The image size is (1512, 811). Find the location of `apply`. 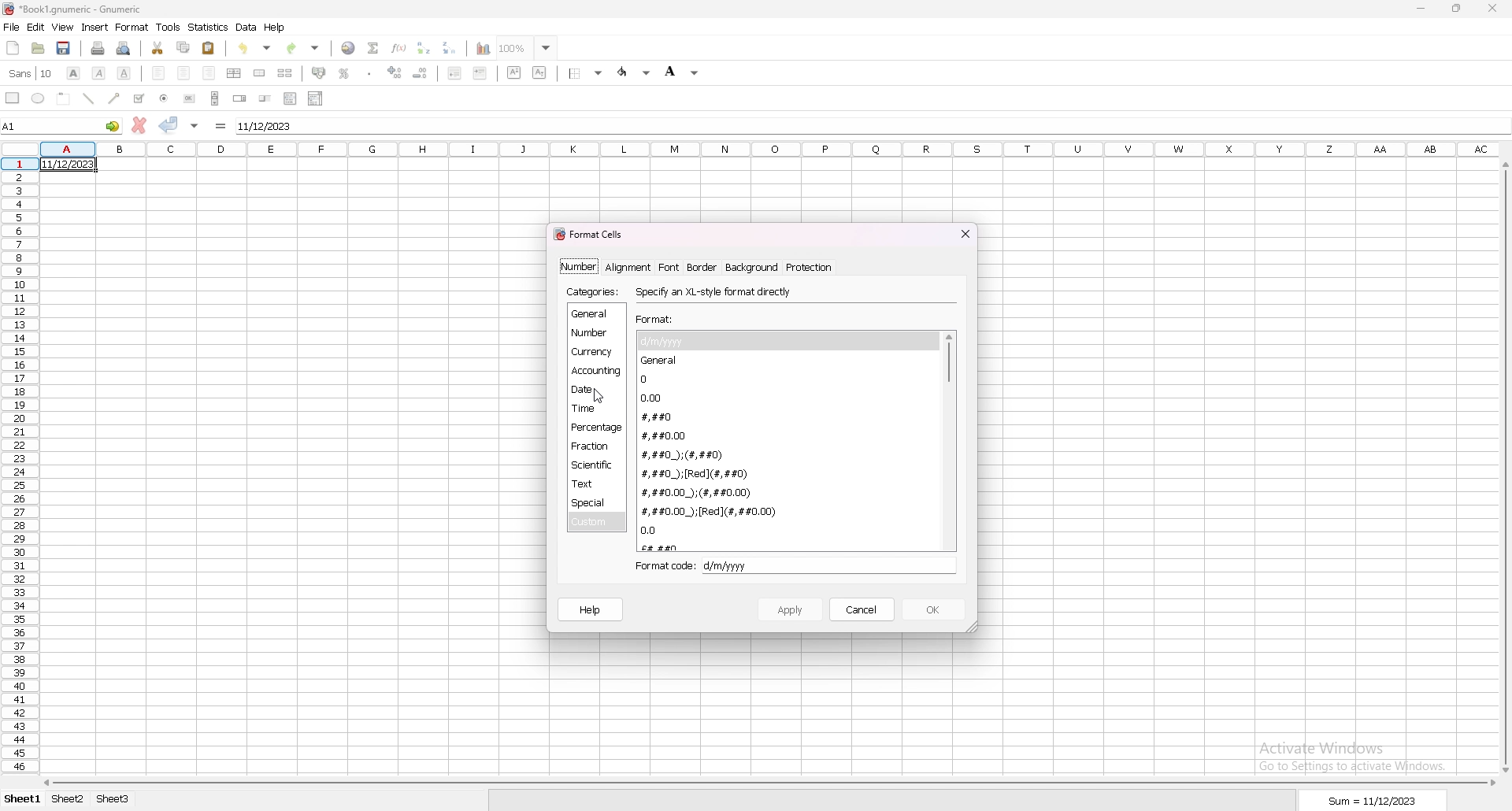

apply is located at coordinates (791, 610).